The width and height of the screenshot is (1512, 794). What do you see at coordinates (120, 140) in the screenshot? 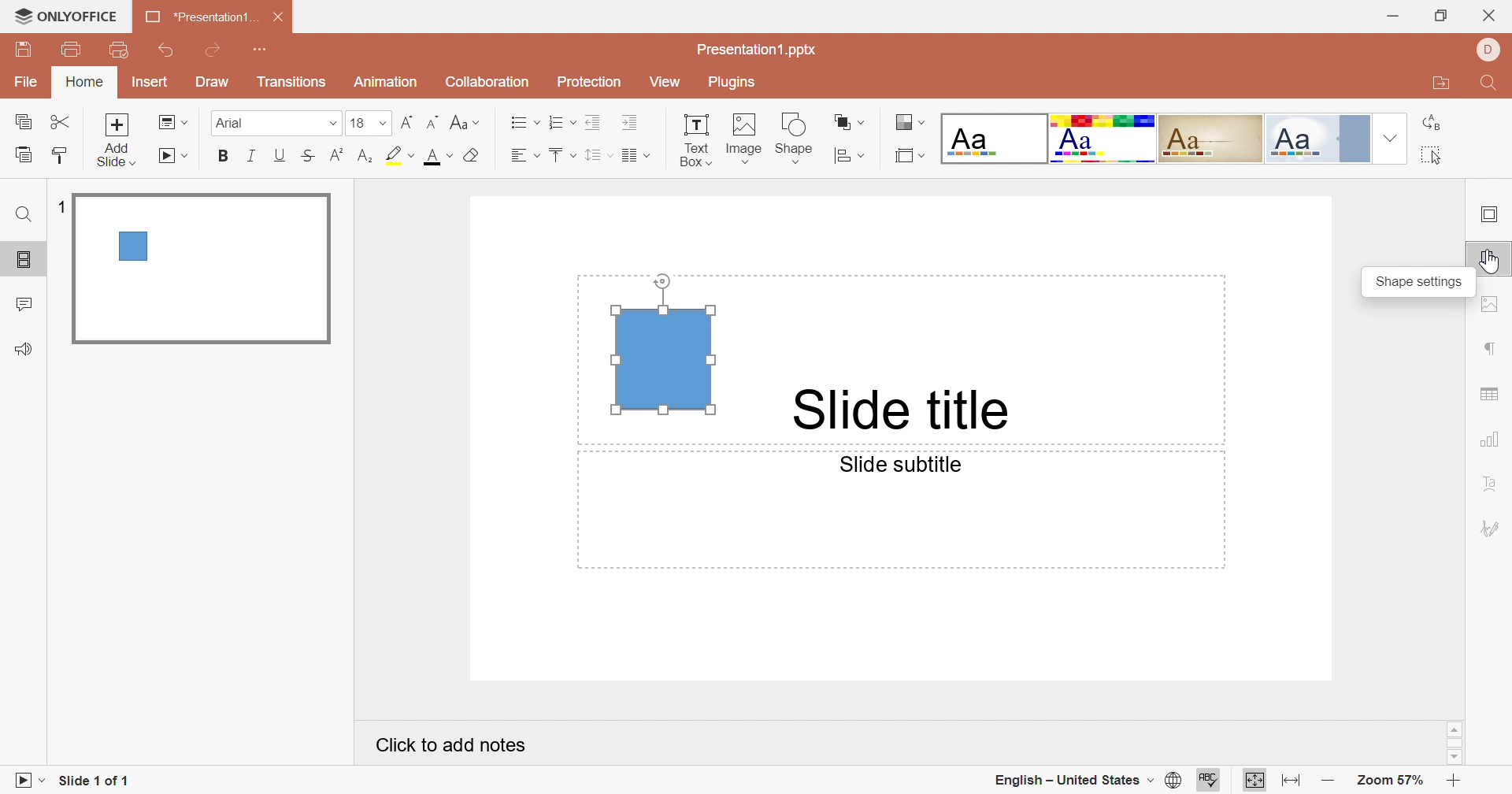
I see `Add Slide` at bounding box center [120, 140].